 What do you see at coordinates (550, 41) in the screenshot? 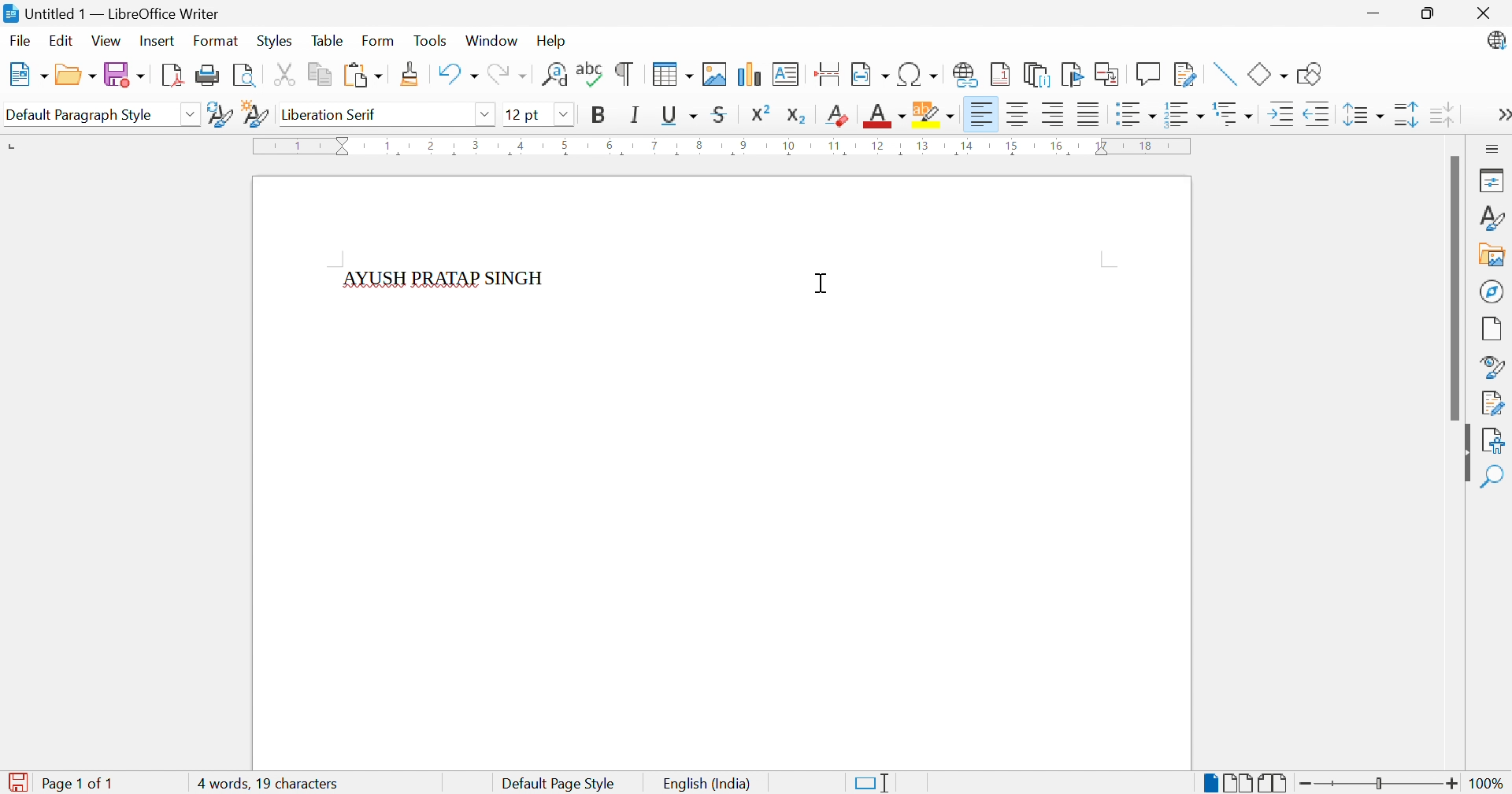
I see `Help` at bounding box center [550, 41].